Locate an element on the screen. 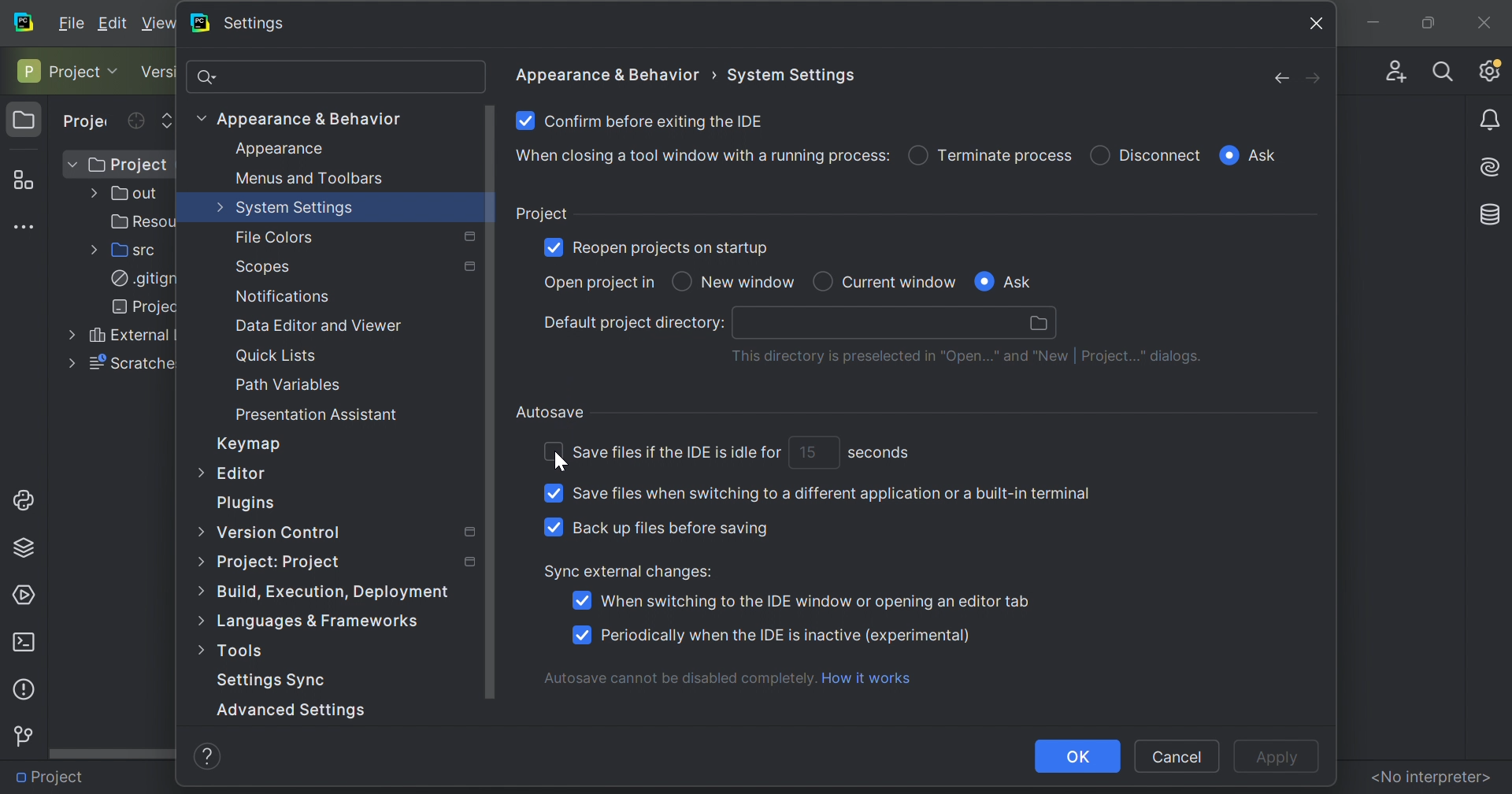 The image size is (1512, 794). Appearance & Behaviour > is located at coordinates (610, 74).